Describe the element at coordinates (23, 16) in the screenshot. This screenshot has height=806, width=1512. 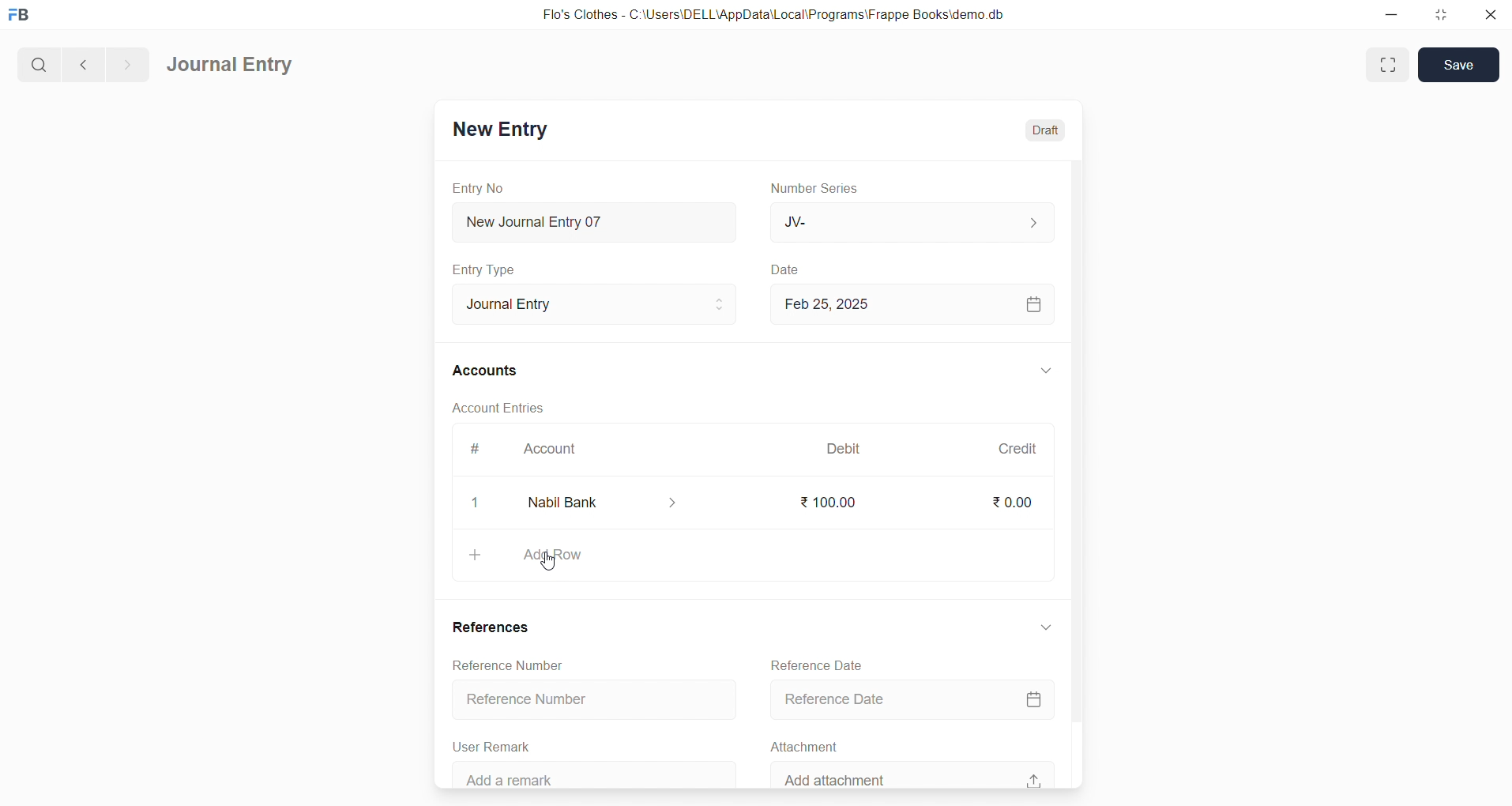
I see `logo` at that location.